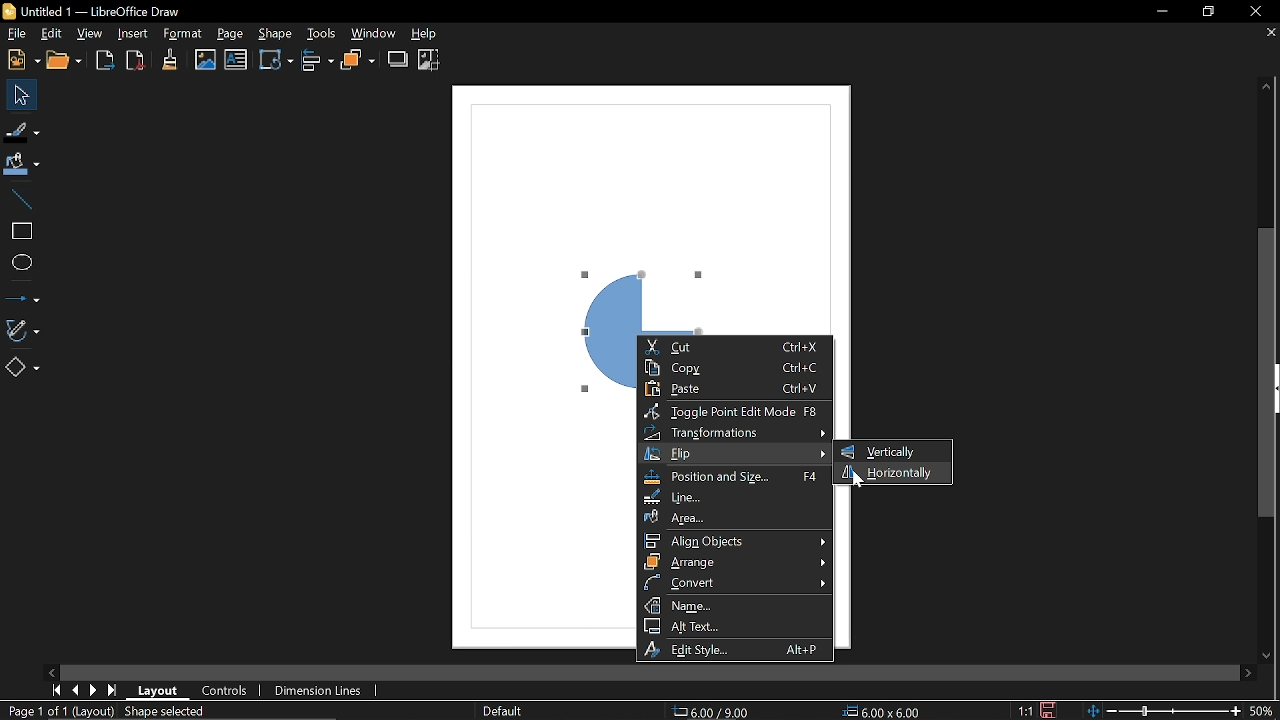 The image size is (1280, 720). What do you see at coordinates (1208, 13) in the screenshot?
I see `Restore down` at bounding box center [1208, 13].